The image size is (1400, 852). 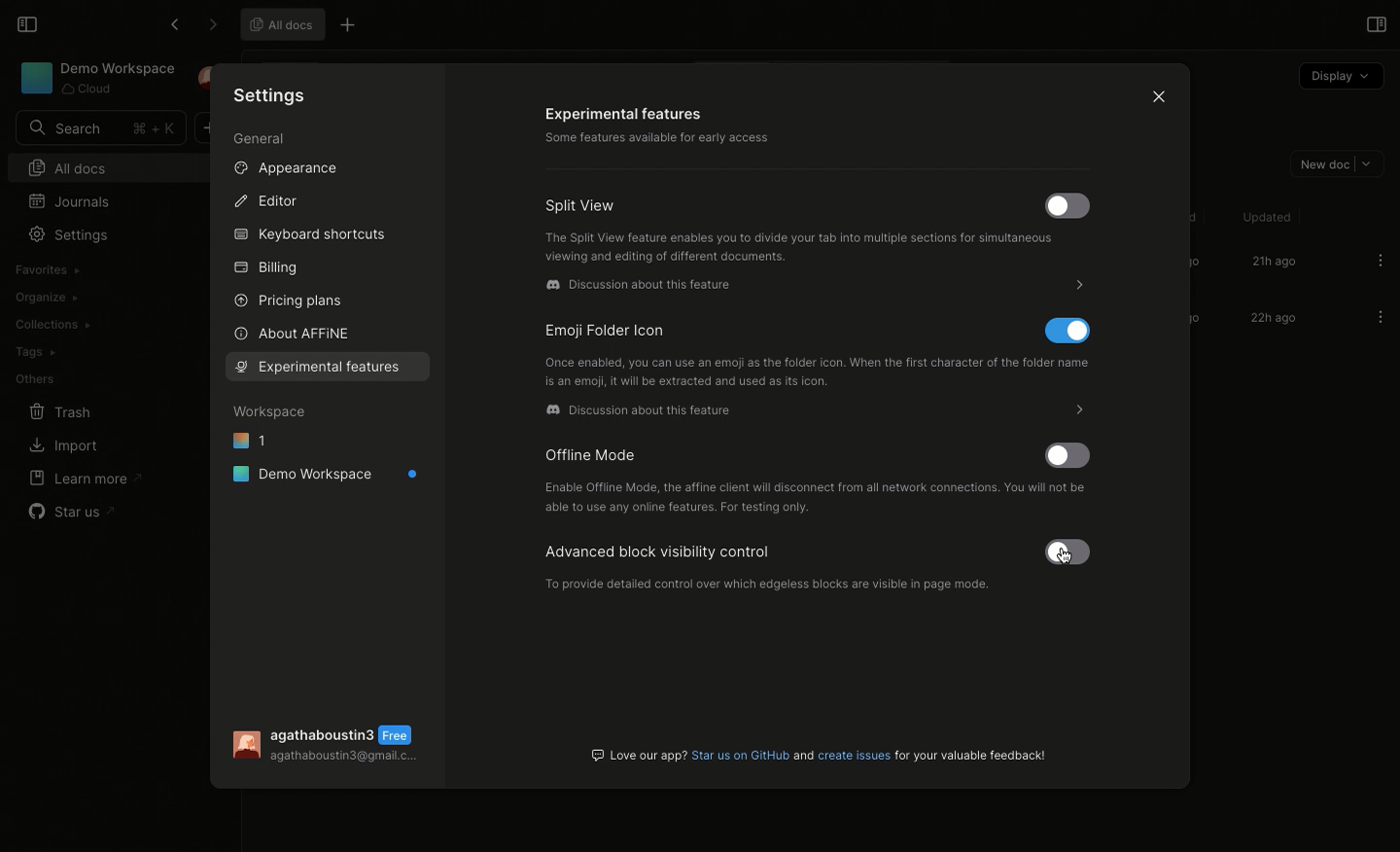 What do you see at coordinates (1264, 217) in the screenshot?
I see `Updated` at bounding box center [1264, 217].